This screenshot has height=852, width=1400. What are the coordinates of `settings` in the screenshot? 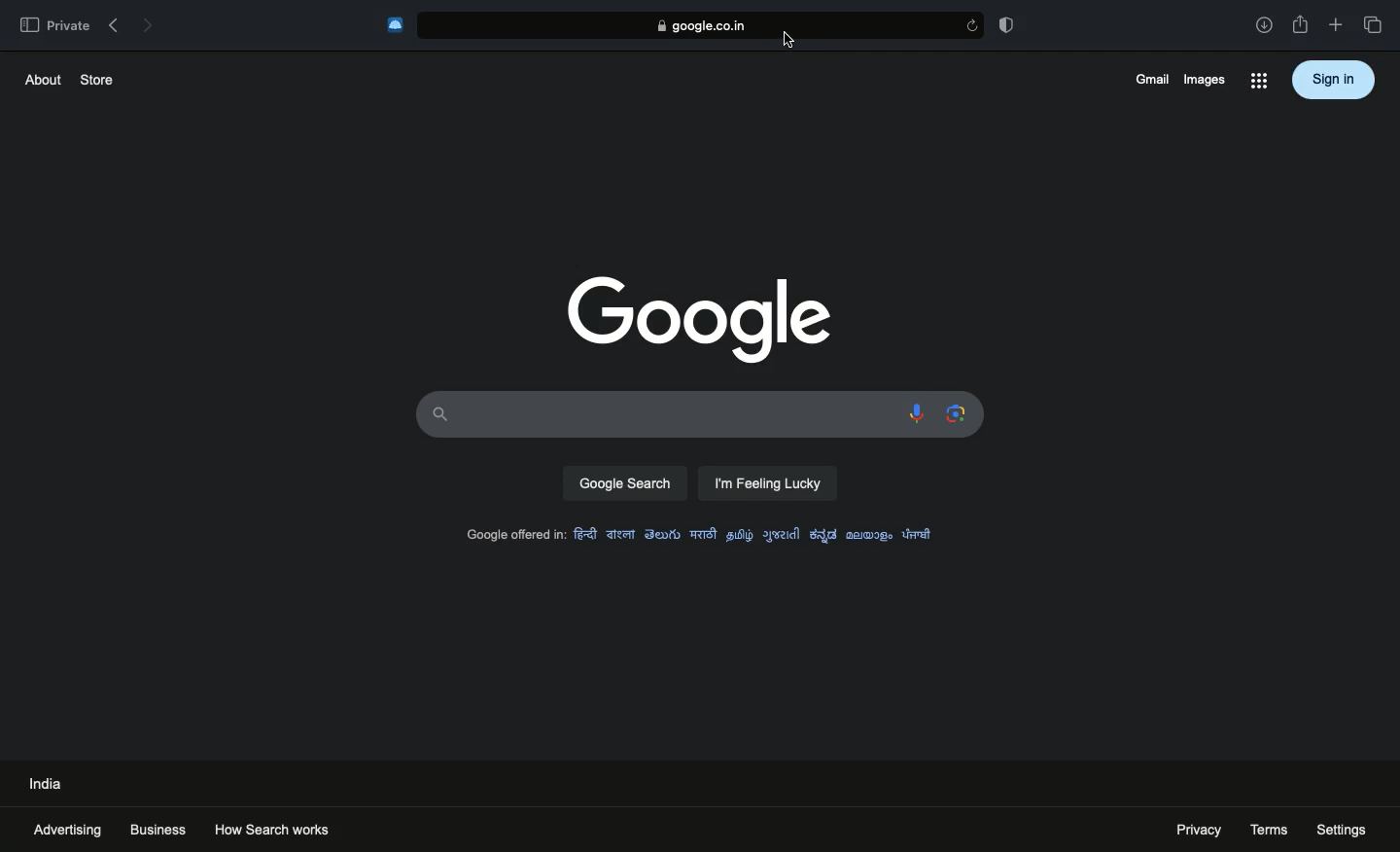 It's located at (1343, 829).